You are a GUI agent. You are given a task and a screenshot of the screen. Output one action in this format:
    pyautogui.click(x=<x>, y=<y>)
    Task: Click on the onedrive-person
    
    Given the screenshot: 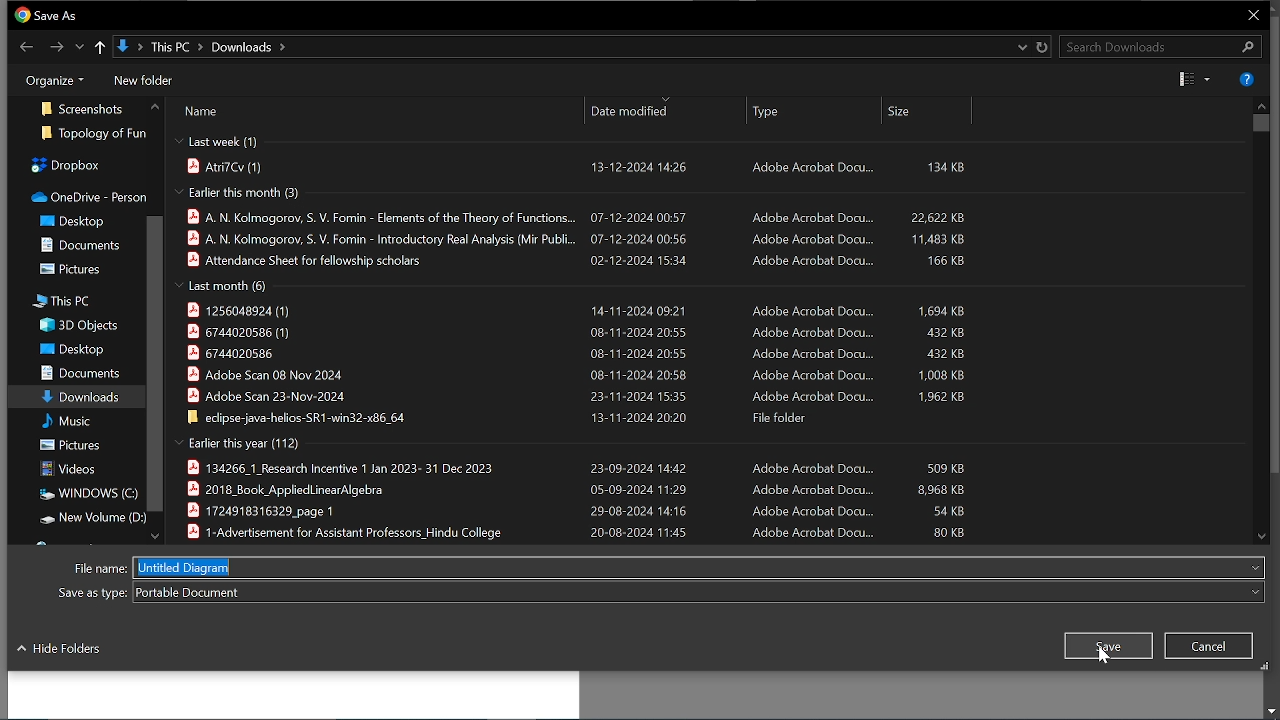 What is the action you would take?
    pyautogui.click(x=90, y=198)
    